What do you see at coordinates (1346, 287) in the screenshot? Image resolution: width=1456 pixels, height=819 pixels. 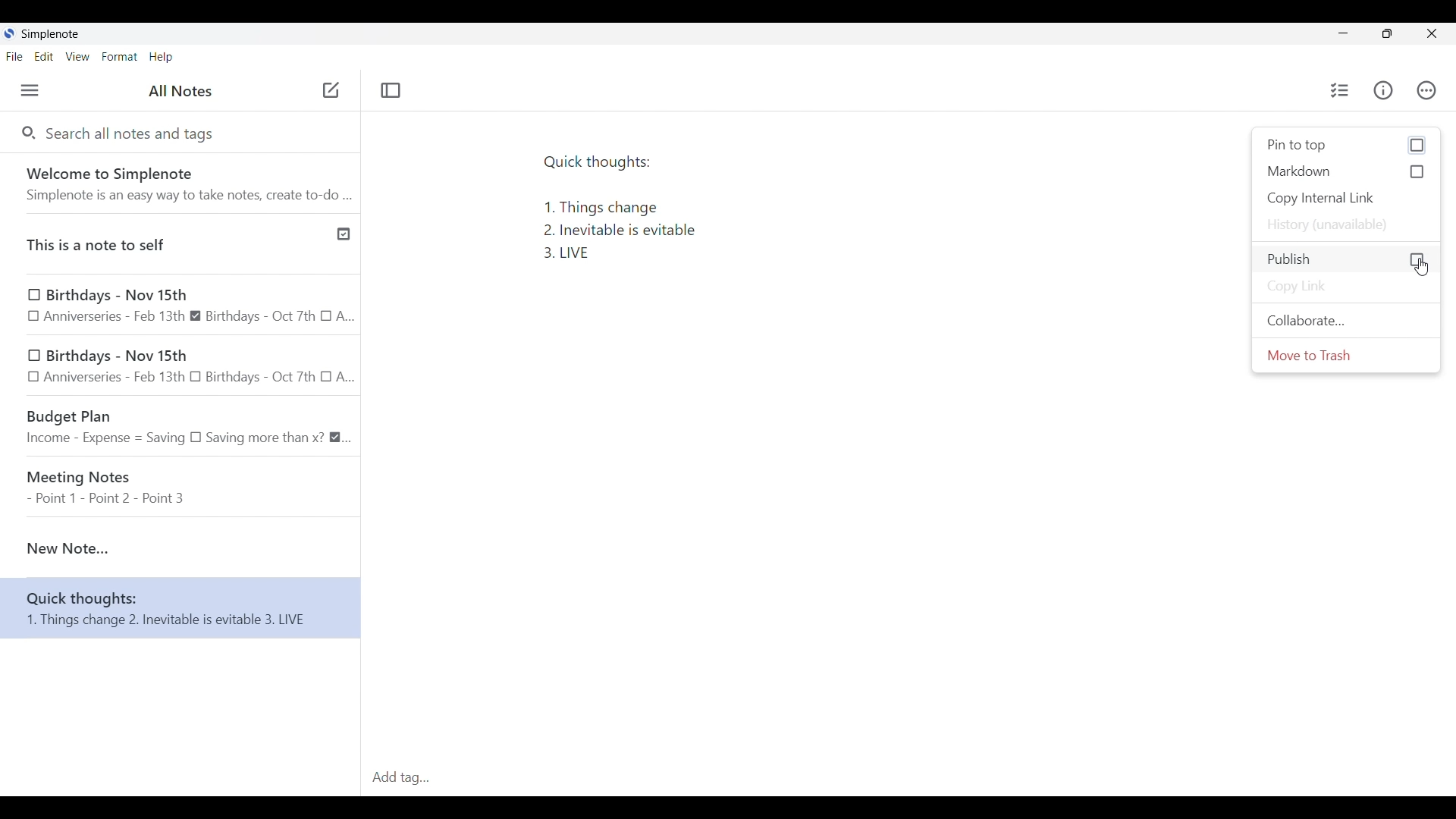 I see `Copy link` at bounding box center [1346, 287].